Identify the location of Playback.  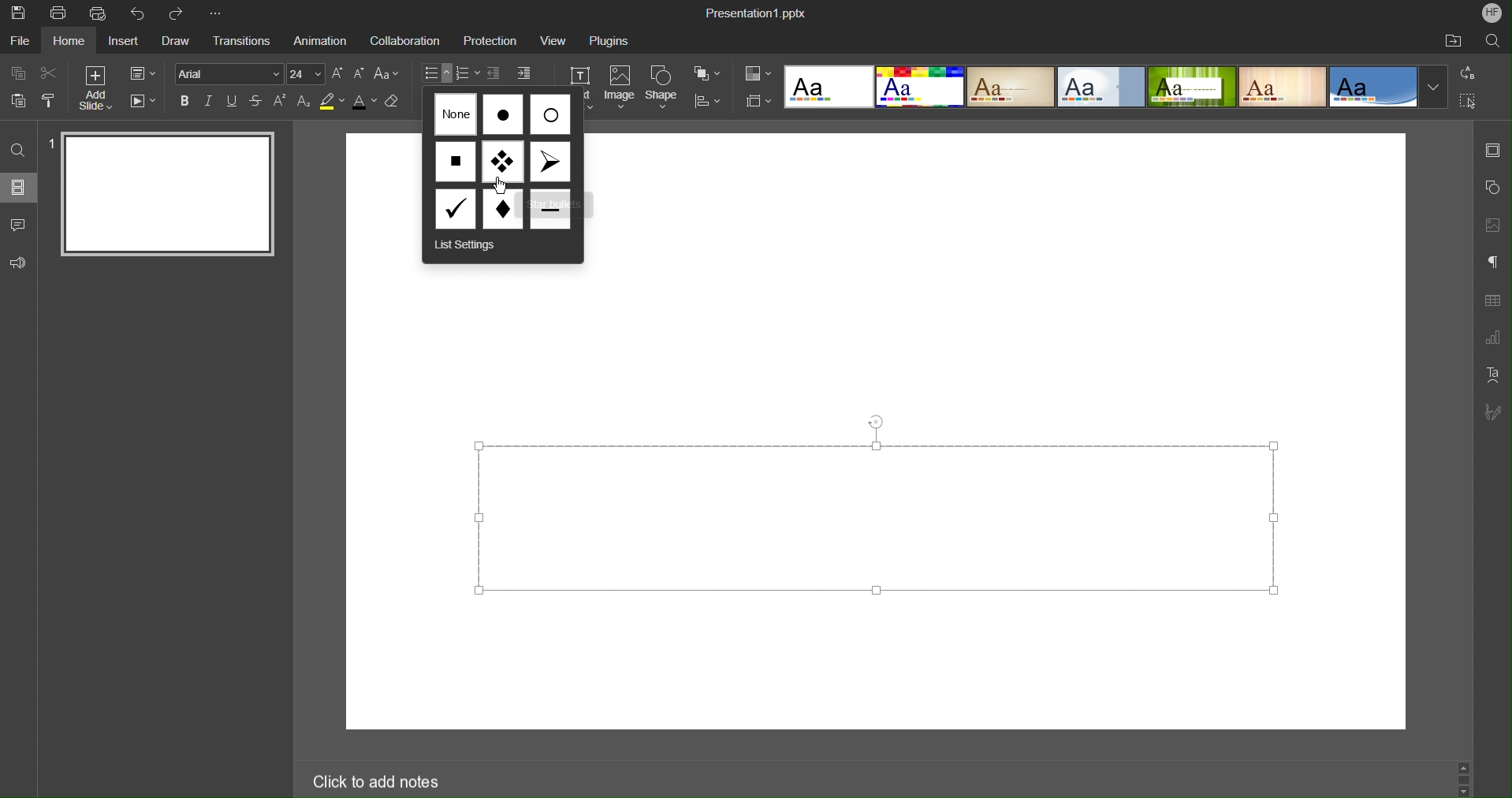
(143, 103).